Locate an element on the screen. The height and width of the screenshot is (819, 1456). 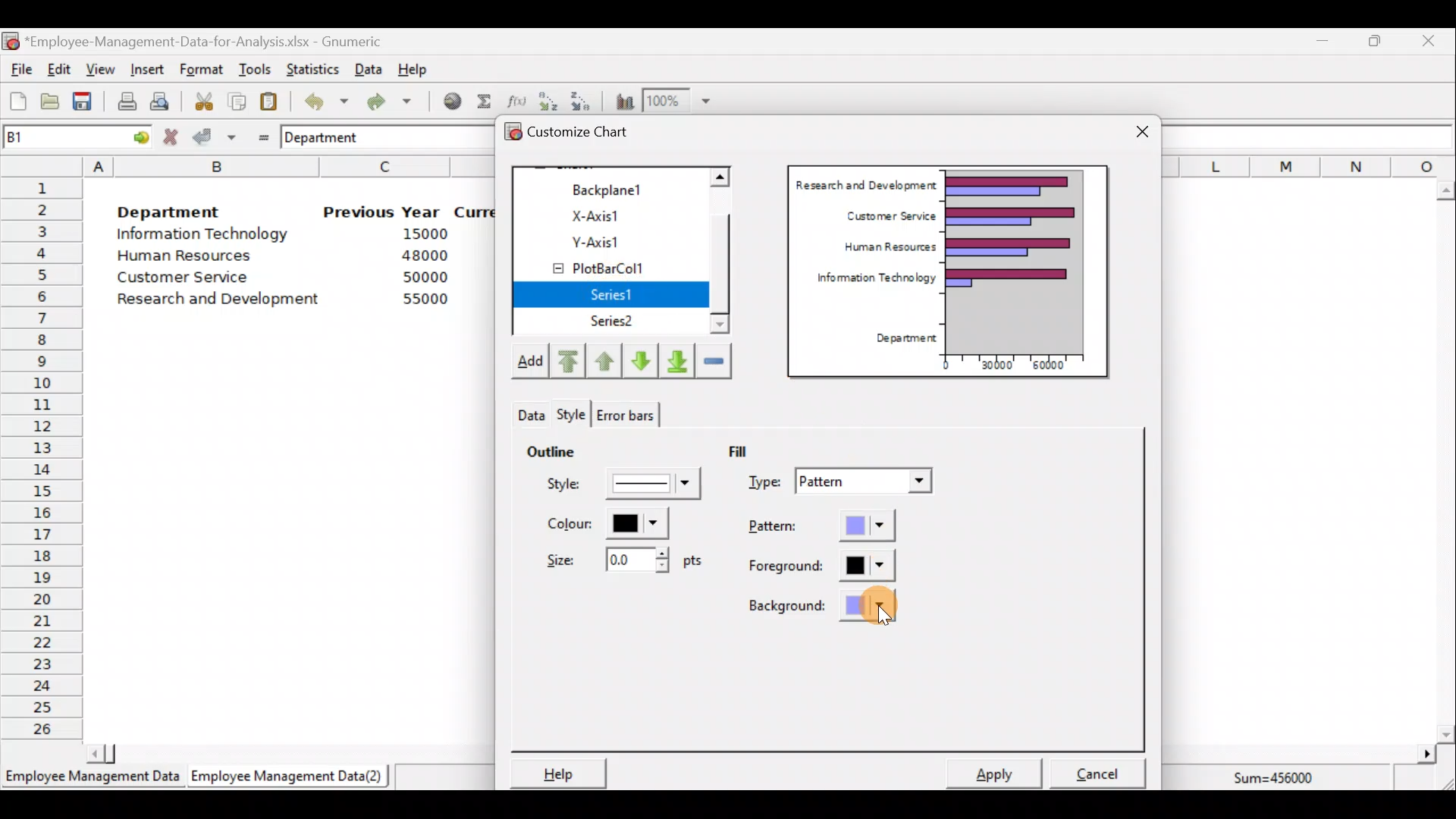
15000 is located at coordinates (419, 233).